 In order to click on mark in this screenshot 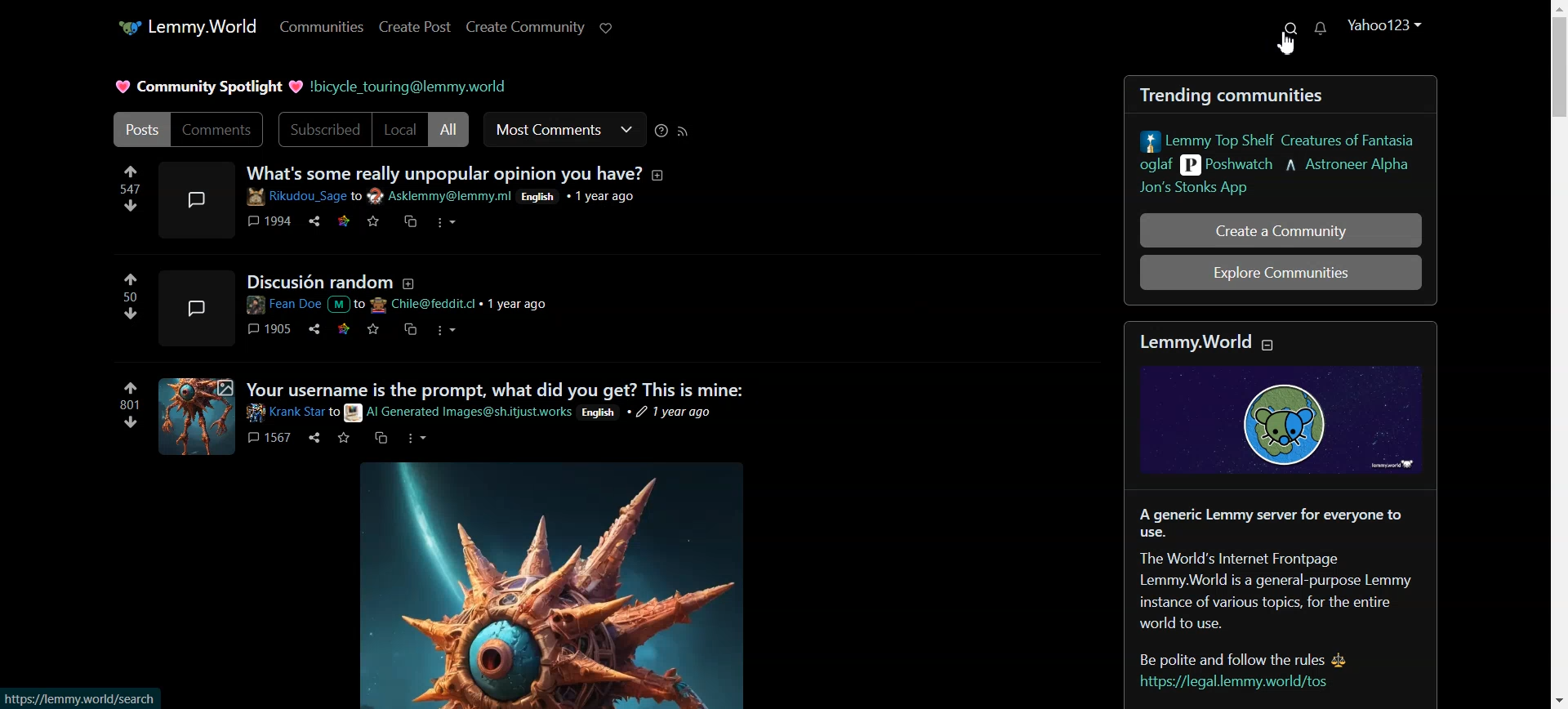, I will do `click(373, 328)`.